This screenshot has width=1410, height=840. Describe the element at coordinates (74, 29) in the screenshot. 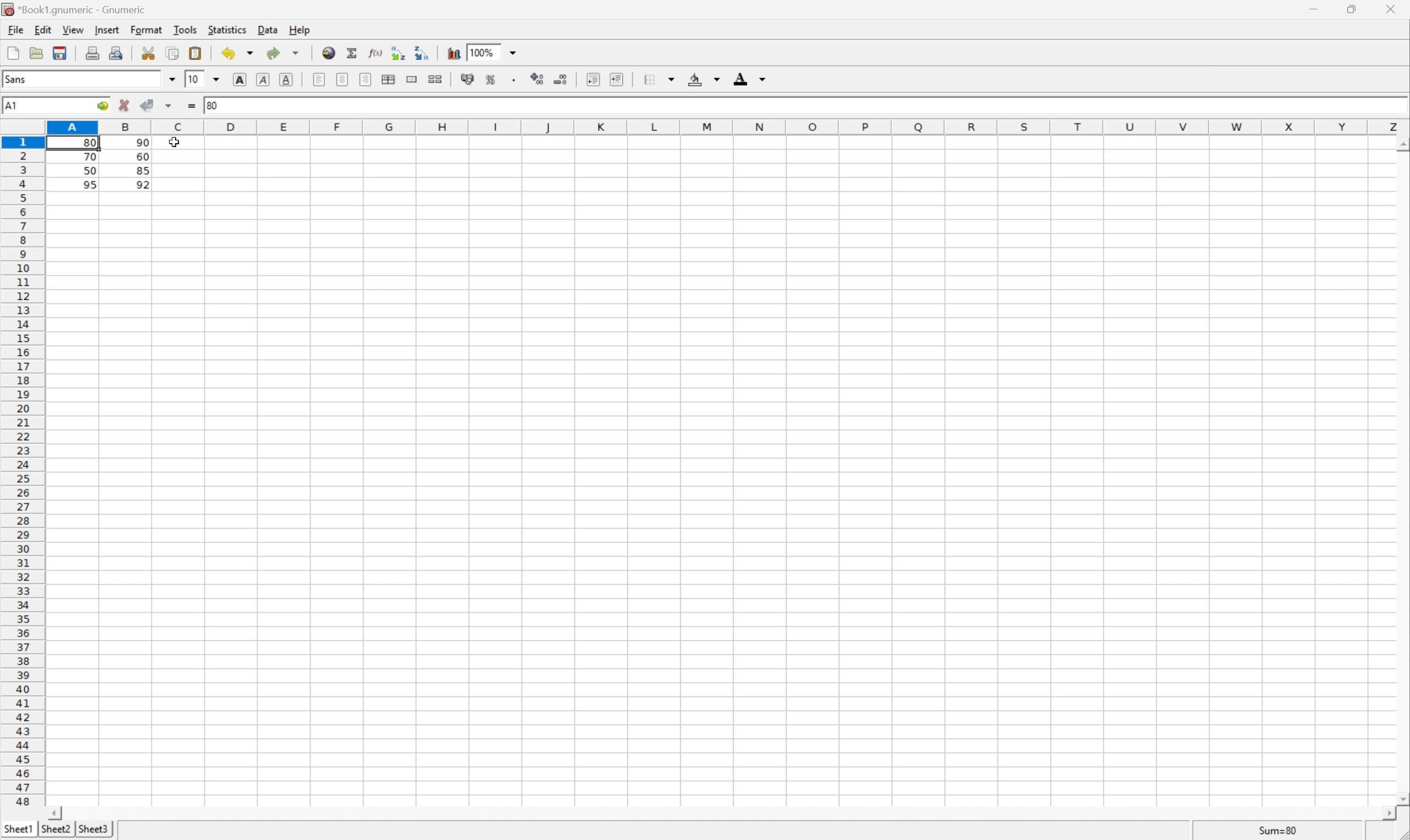

I see `View` at that location.